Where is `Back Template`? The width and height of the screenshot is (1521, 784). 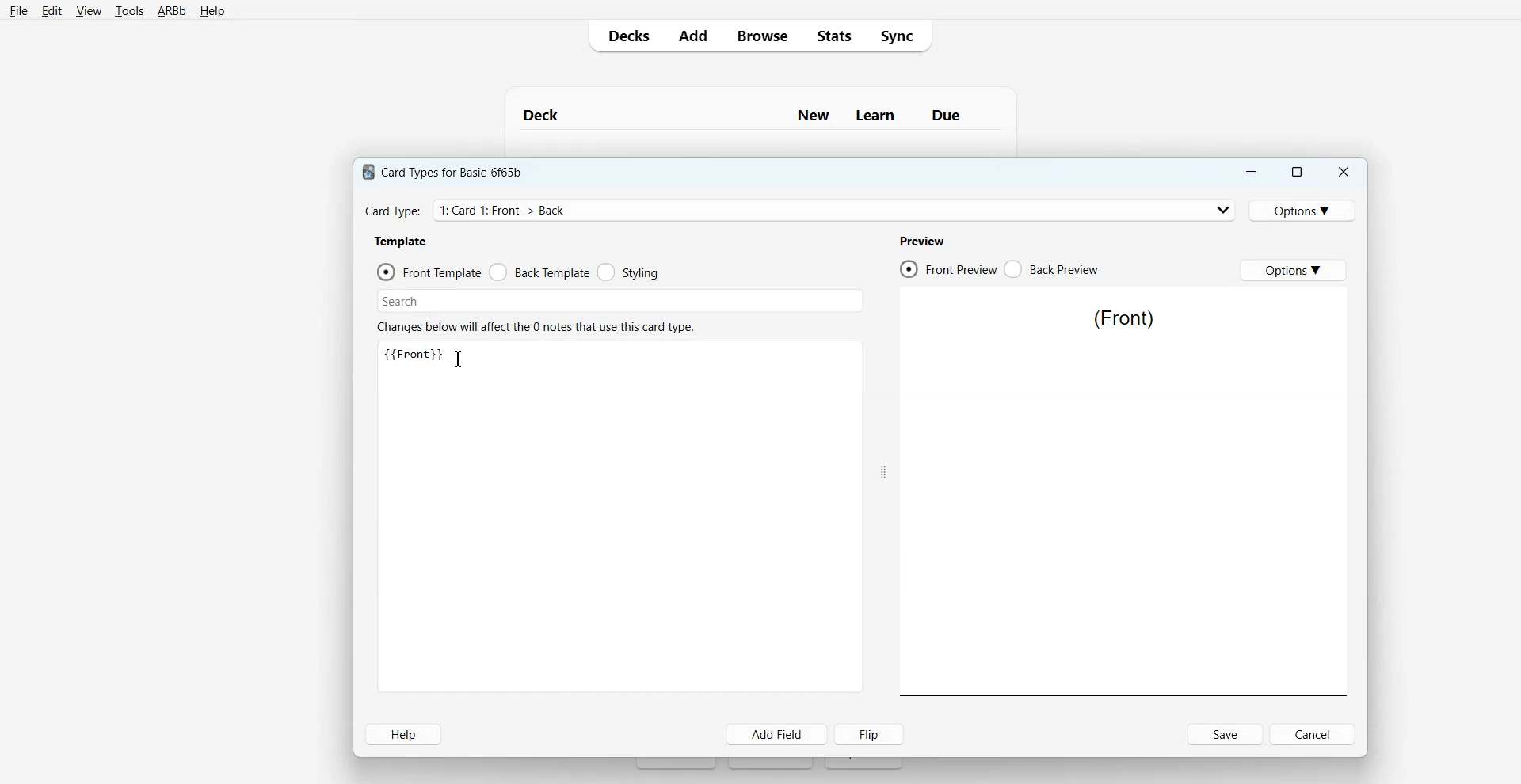 Back Template is located at coordinates (540, 271).